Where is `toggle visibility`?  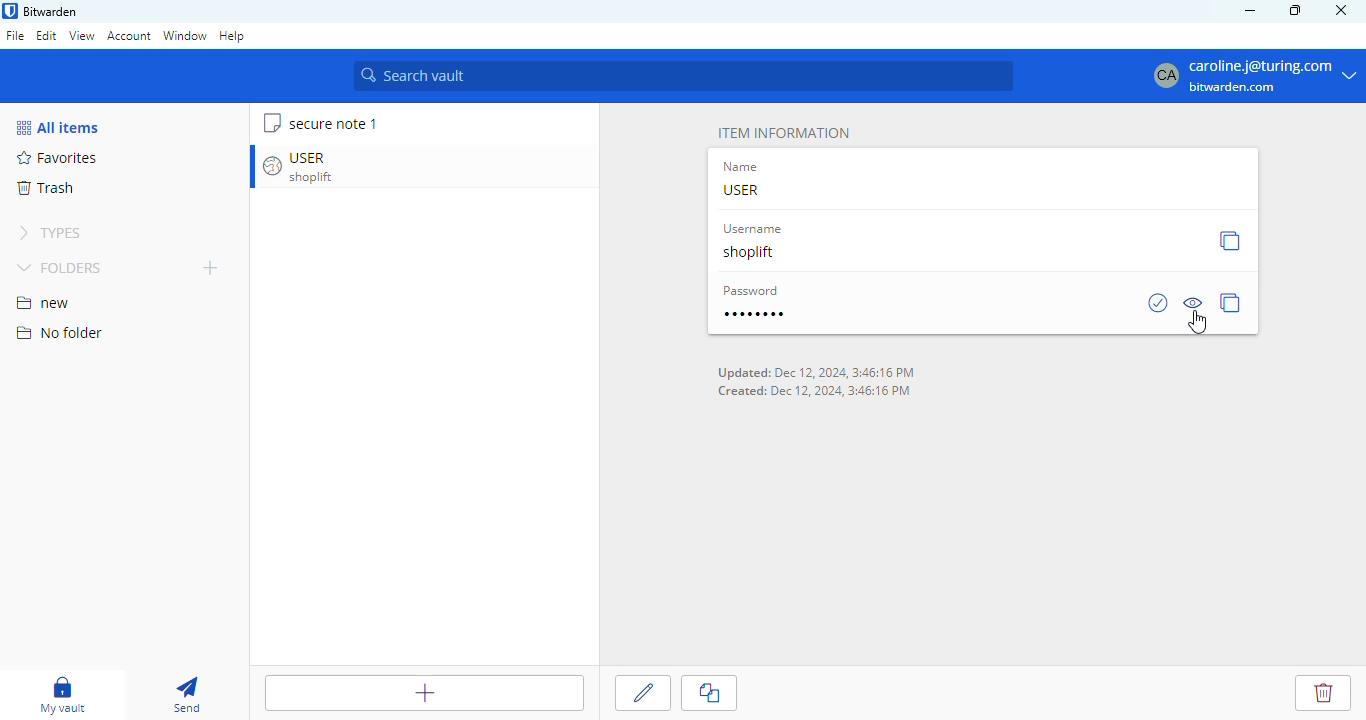 toggle visibility is located at coordinates (1194, 297).